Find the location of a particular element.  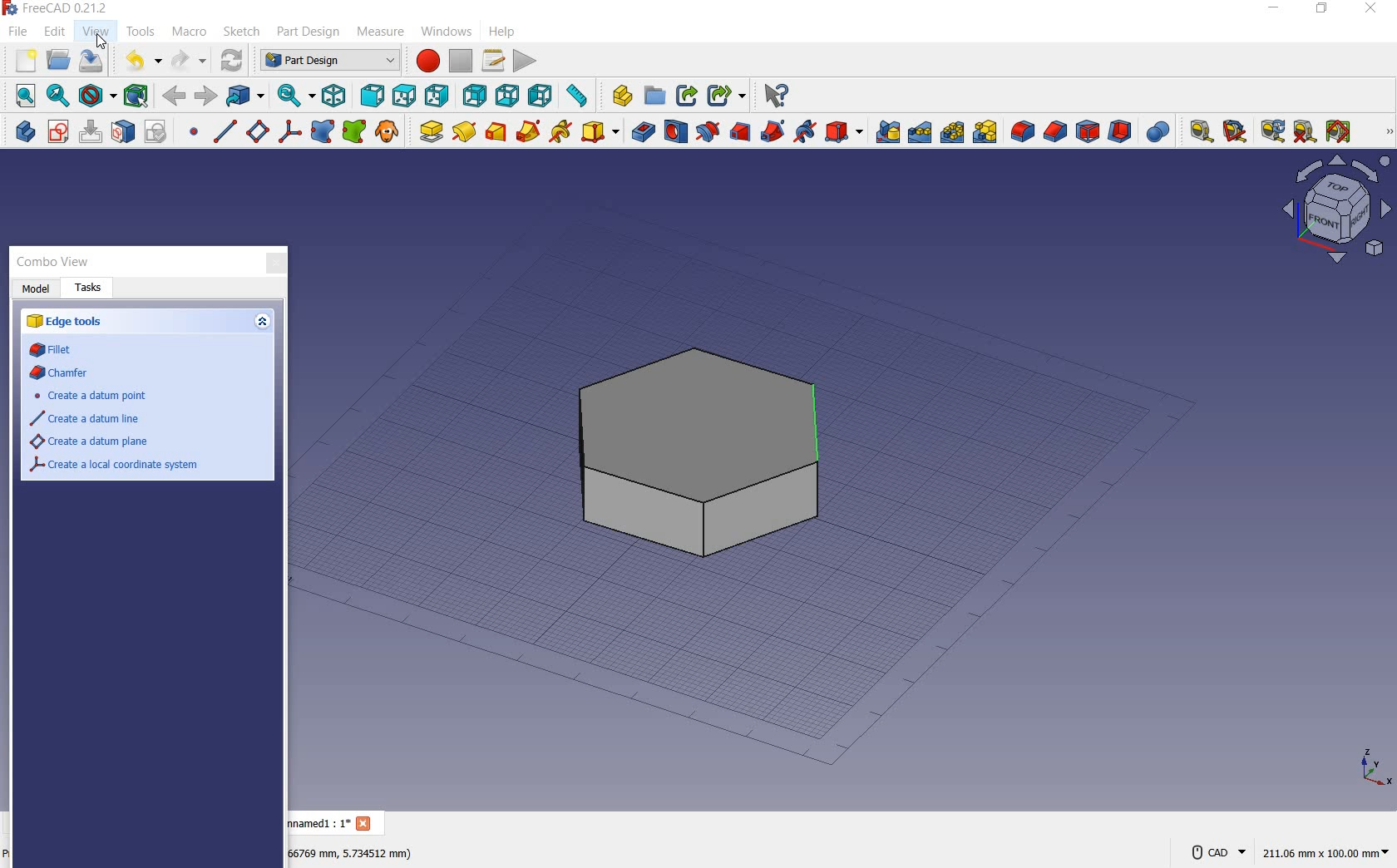

refresh is located at coordinates (1272, 131).